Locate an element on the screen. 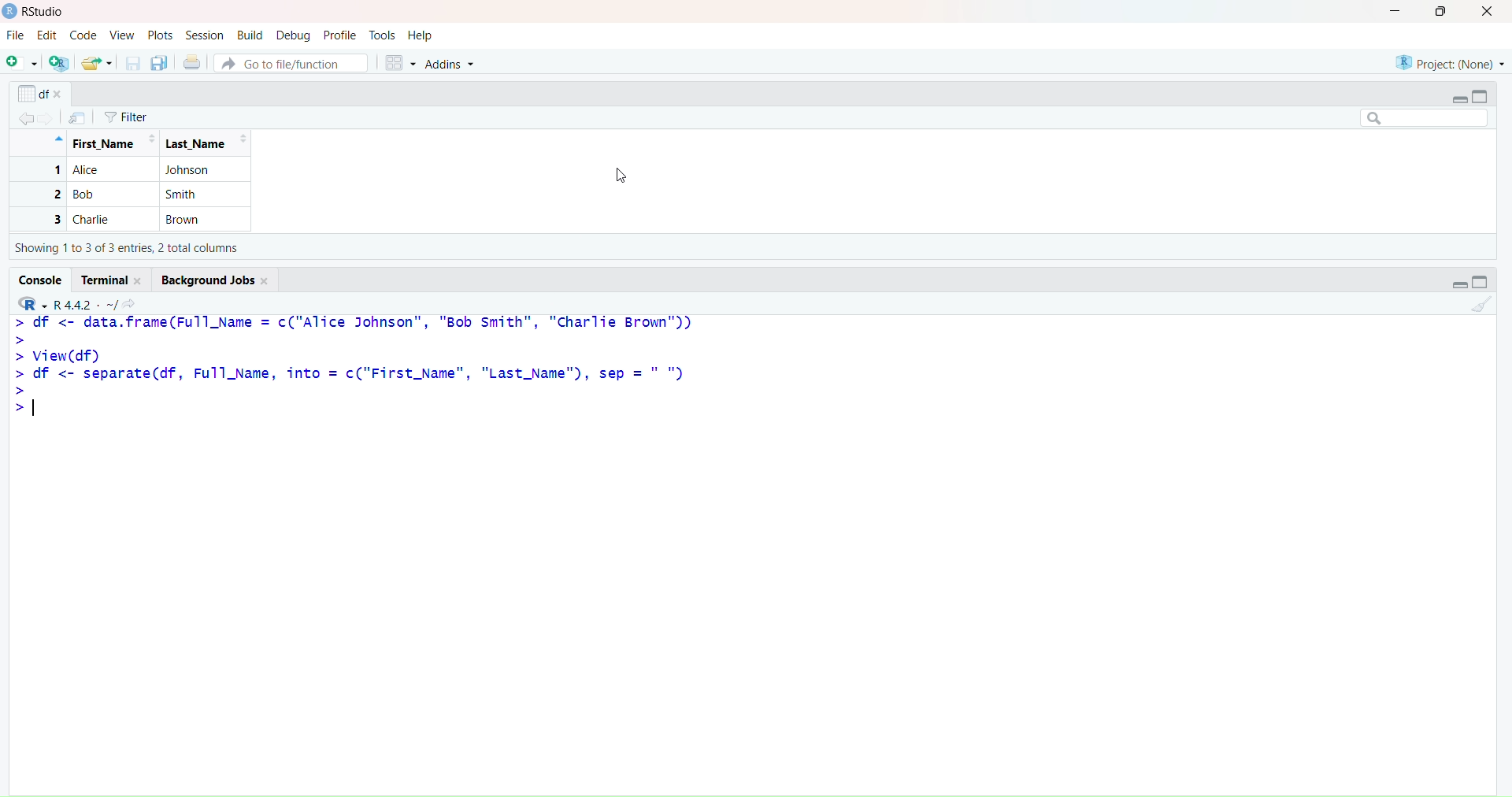 Image resolution: width=1512 pixels, height=797 pixels. Code is located at coordinates (83, 36).